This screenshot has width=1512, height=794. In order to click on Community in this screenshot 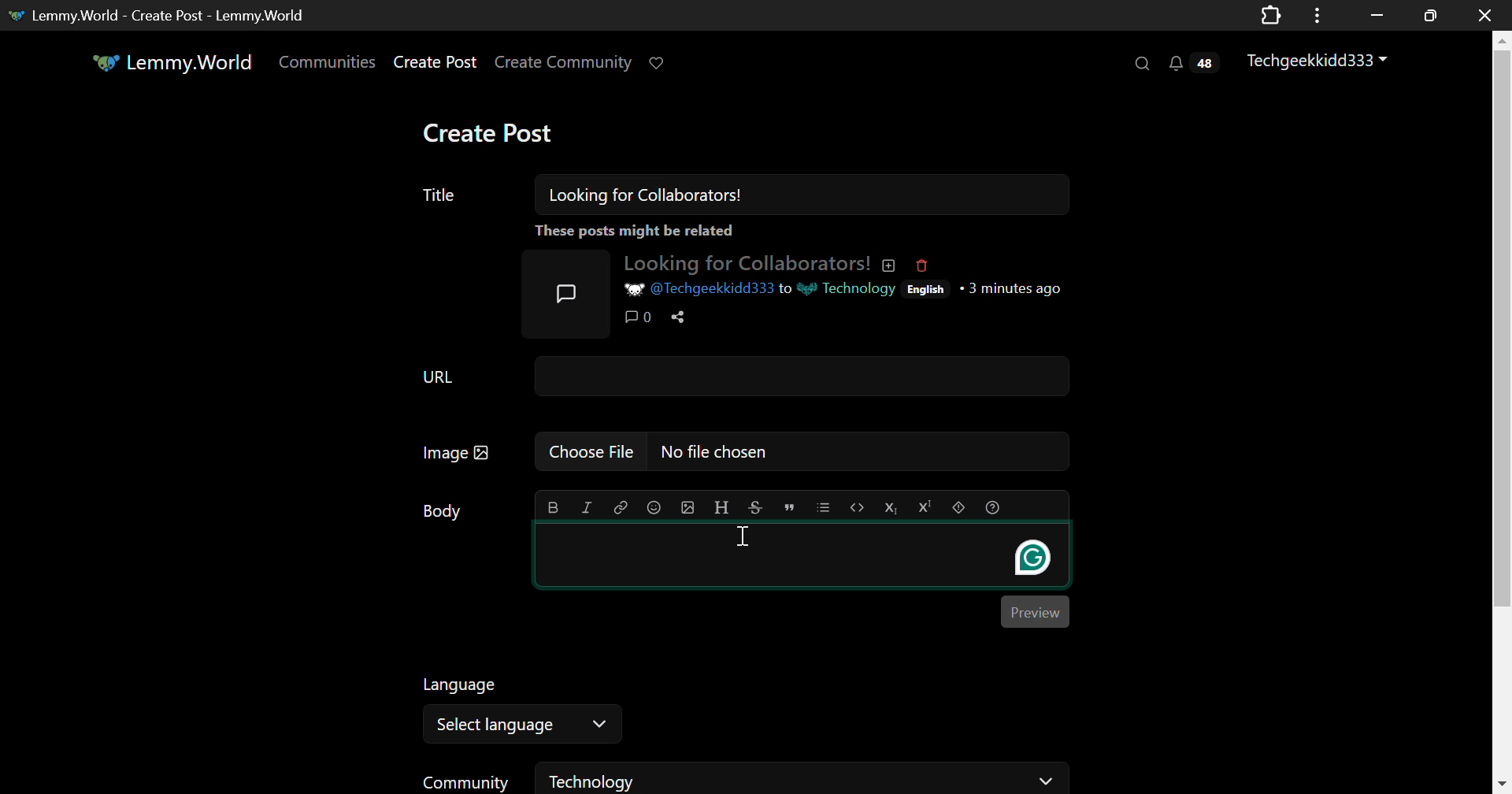, I will do `click(468, 780)`.